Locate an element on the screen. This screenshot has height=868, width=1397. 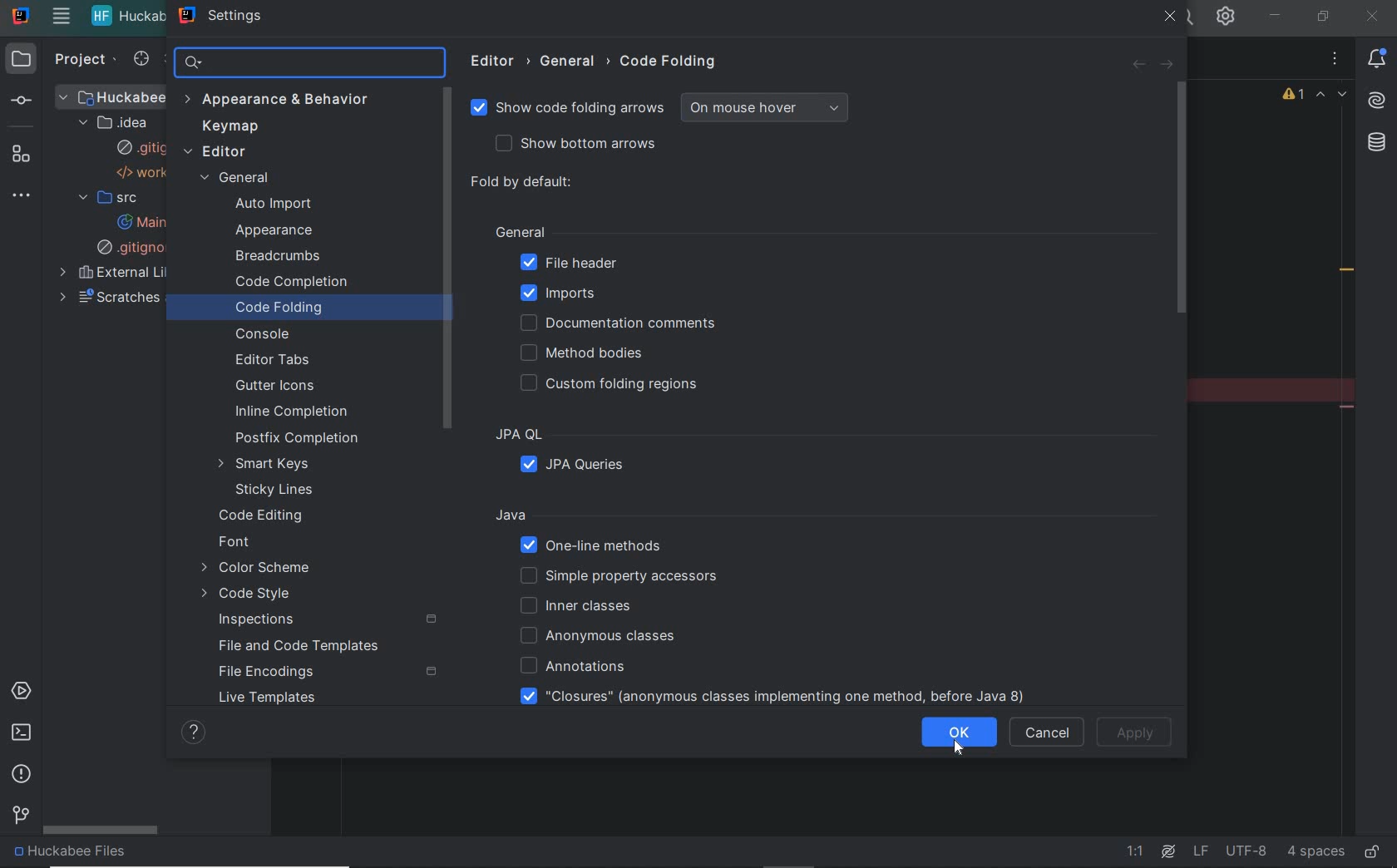
scrollbar is located at coordinates (102, 831).